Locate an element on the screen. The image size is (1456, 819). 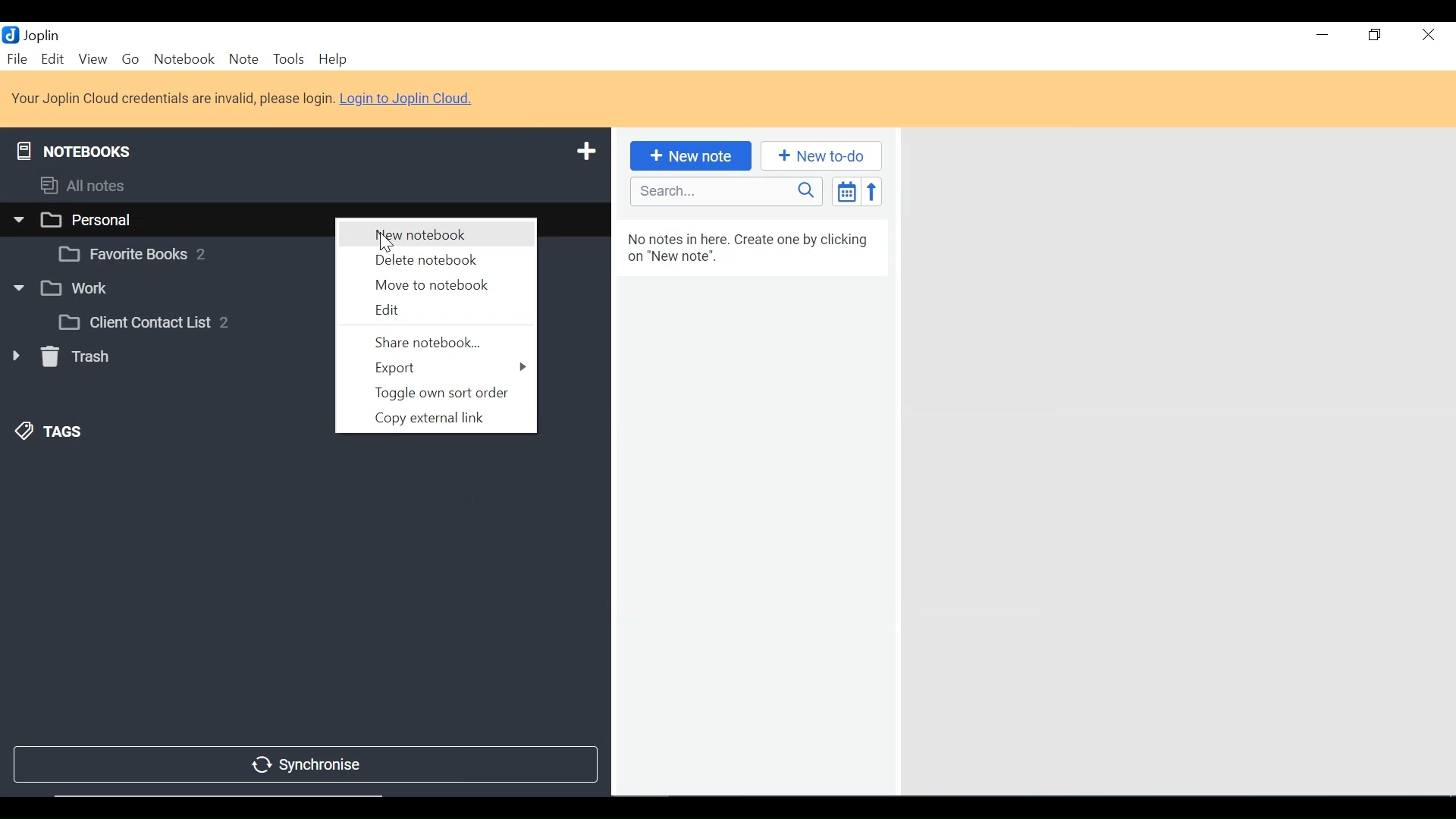
Joplin is located at coordinates (43, 35).